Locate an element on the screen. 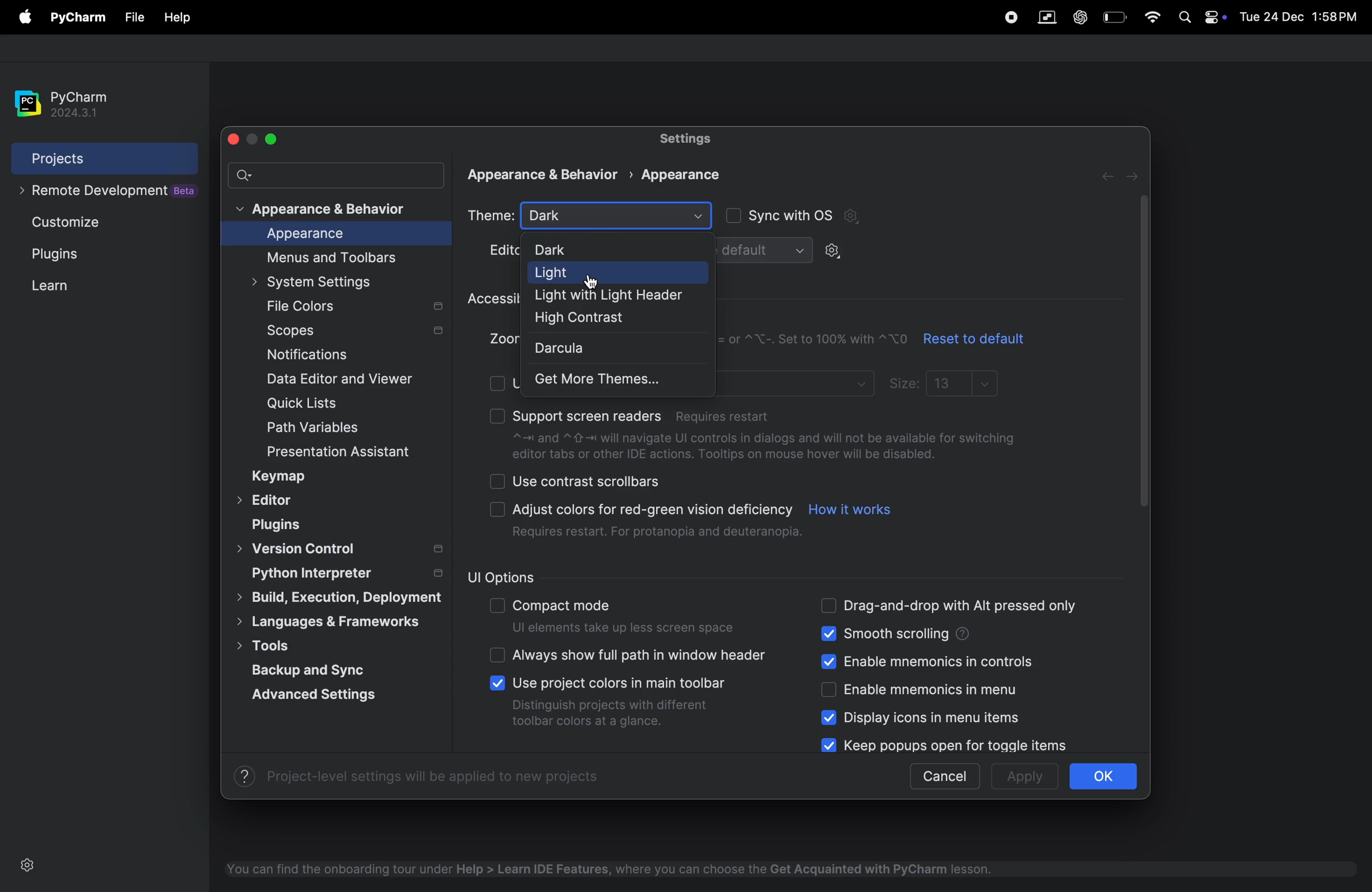  Plugins is located at coordinates (59, 258).